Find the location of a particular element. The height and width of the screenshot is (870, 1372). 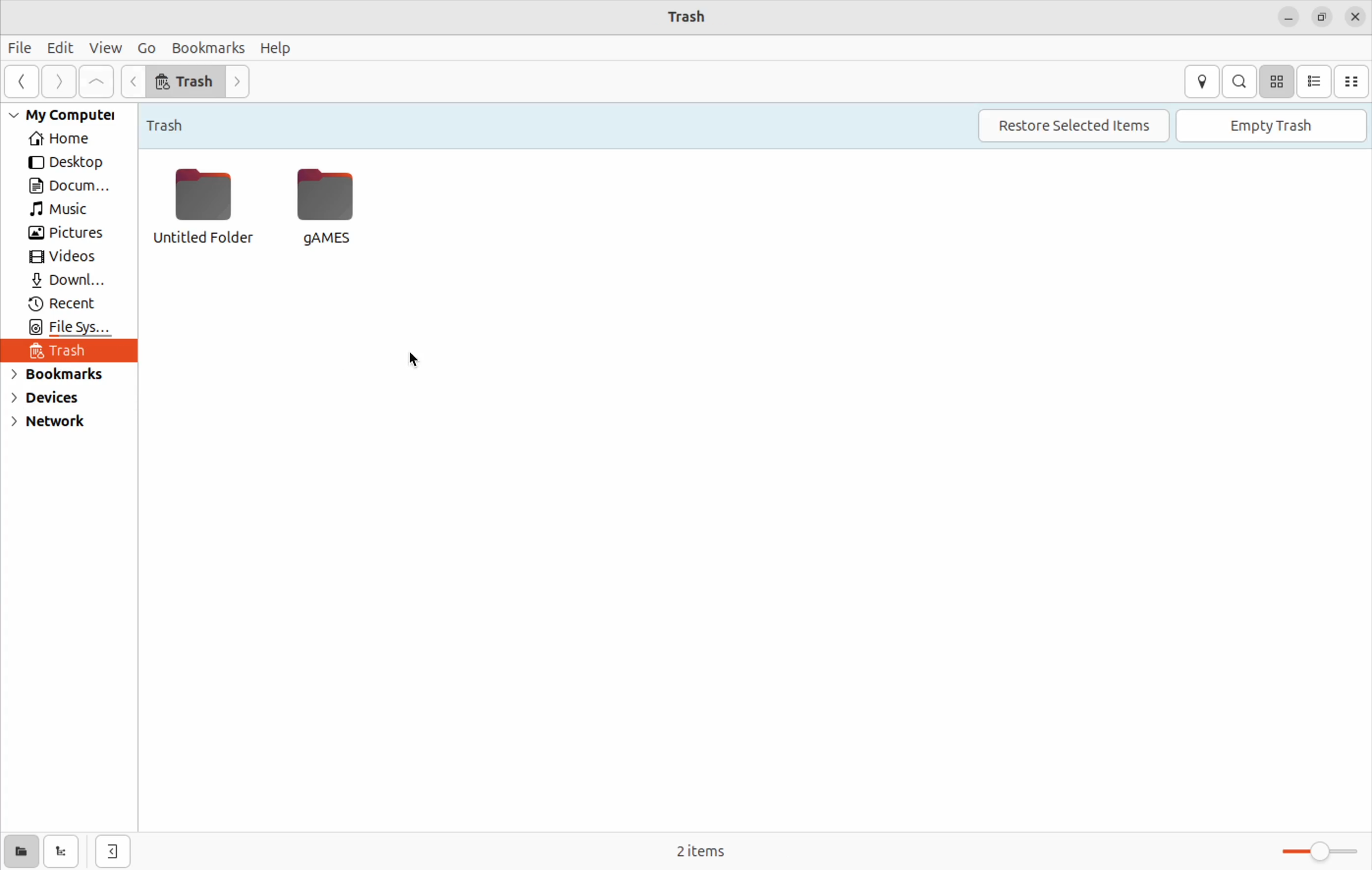

minimize is located at coordinates (1288, 19).